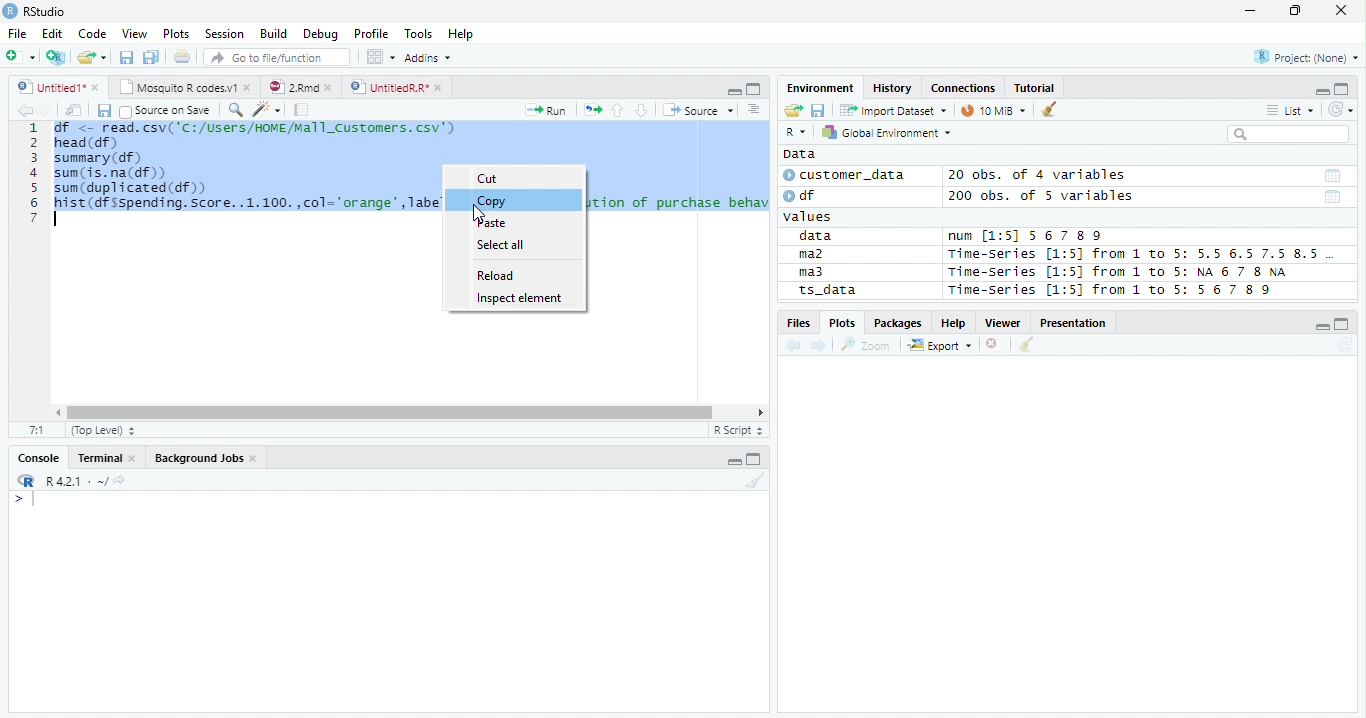 Image resolution: width=1366 pixels, height=718 pixels. I want to click on Project (none), so click(1309, 55).